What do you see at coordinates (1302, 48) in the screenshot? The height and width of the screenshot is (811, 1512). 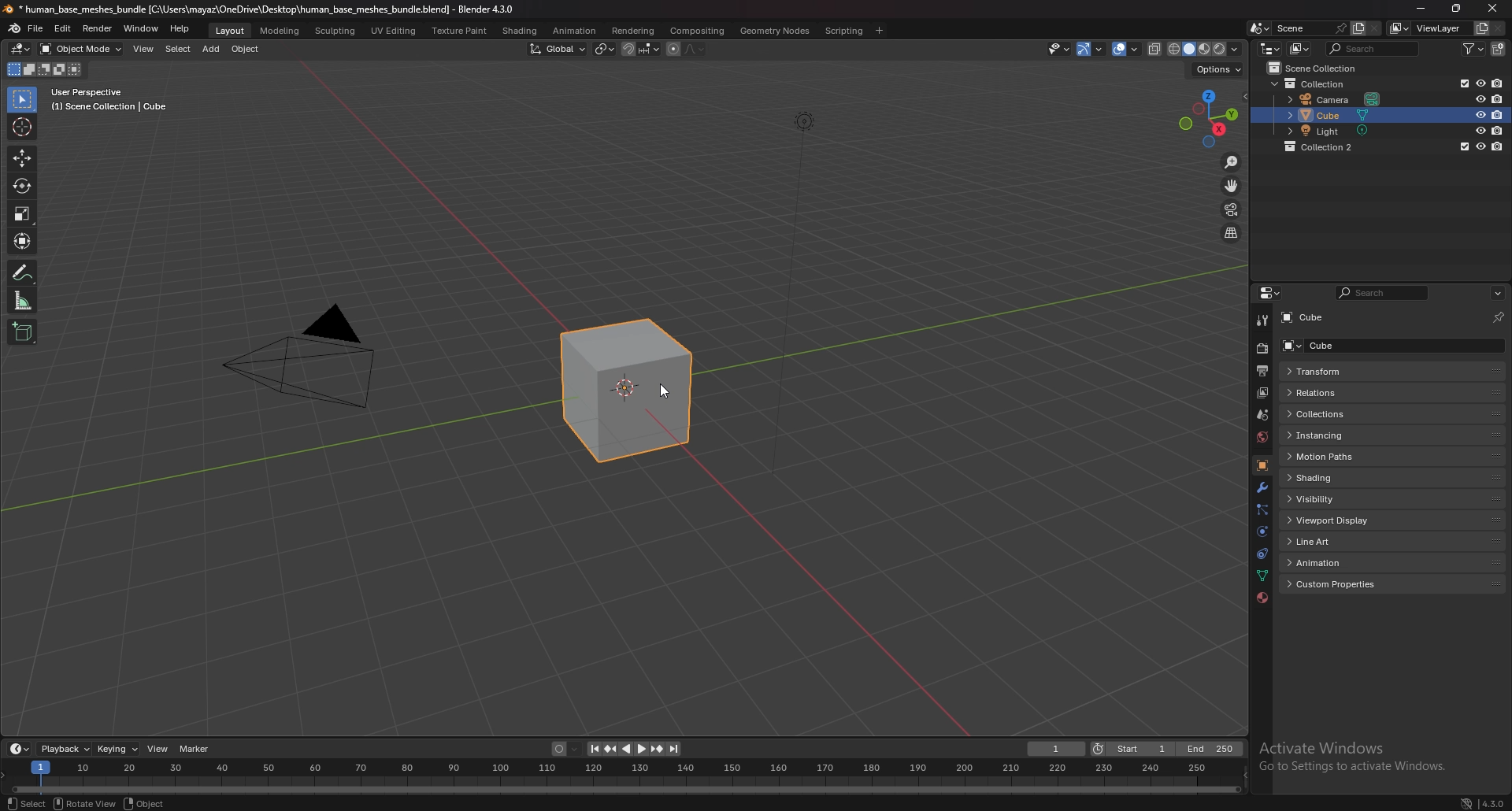 I see `display mode` at bounding box center [1302, 48].